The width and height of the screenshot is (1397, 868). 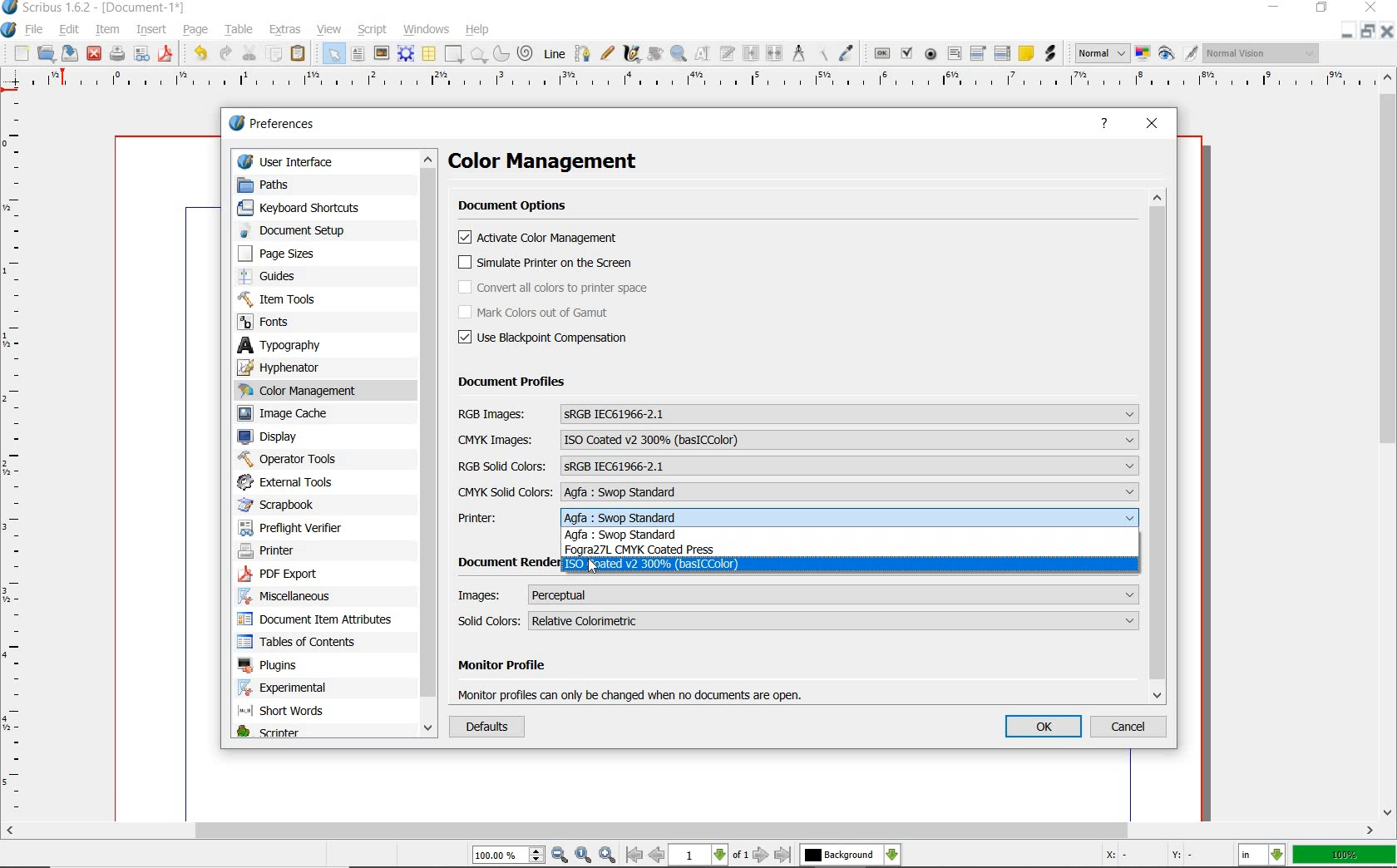 I want to click on document options, so click(x=517, y=207).